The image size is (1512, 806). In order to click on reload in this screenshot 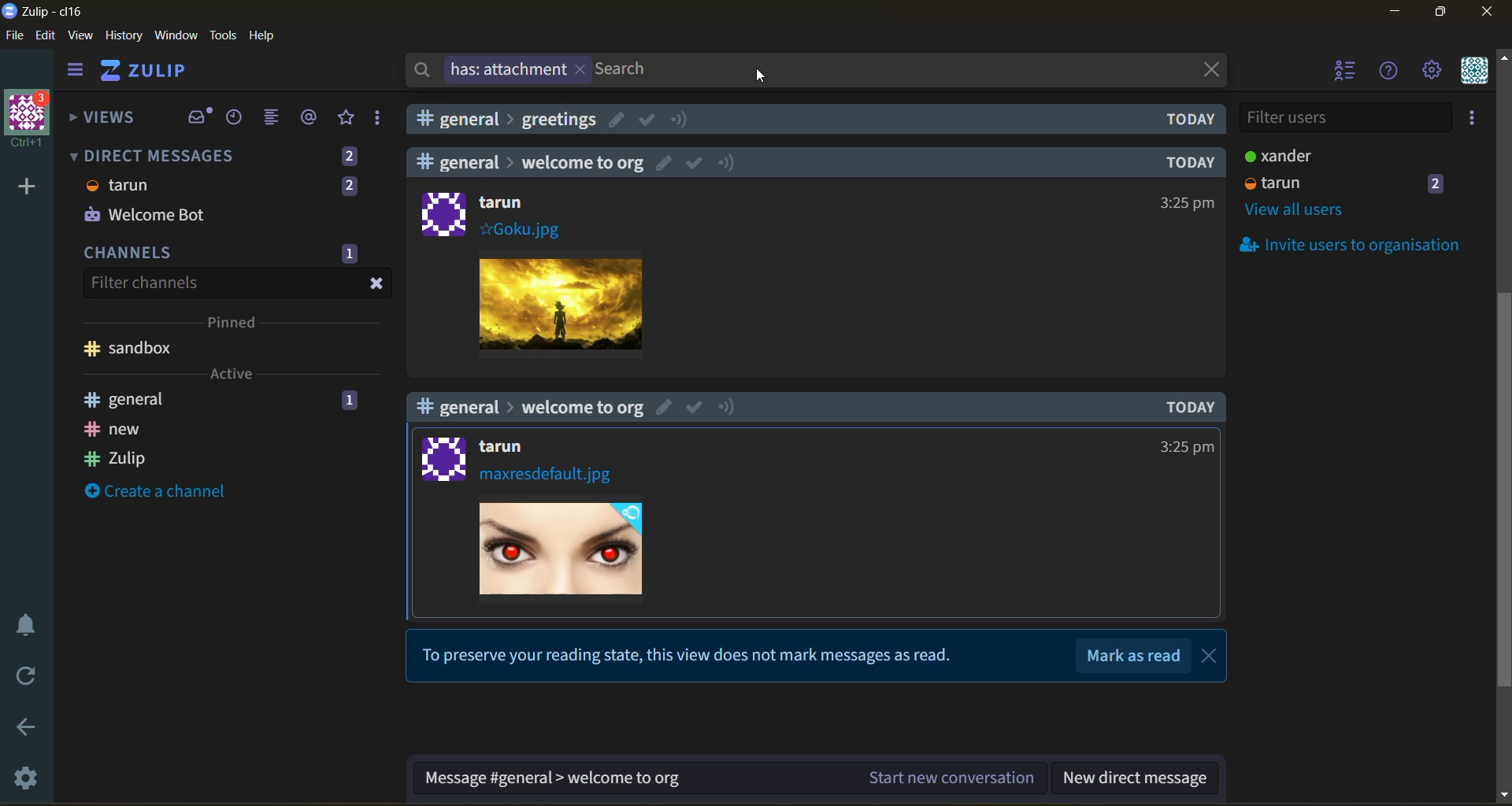, I will do `click(28, 673)`.